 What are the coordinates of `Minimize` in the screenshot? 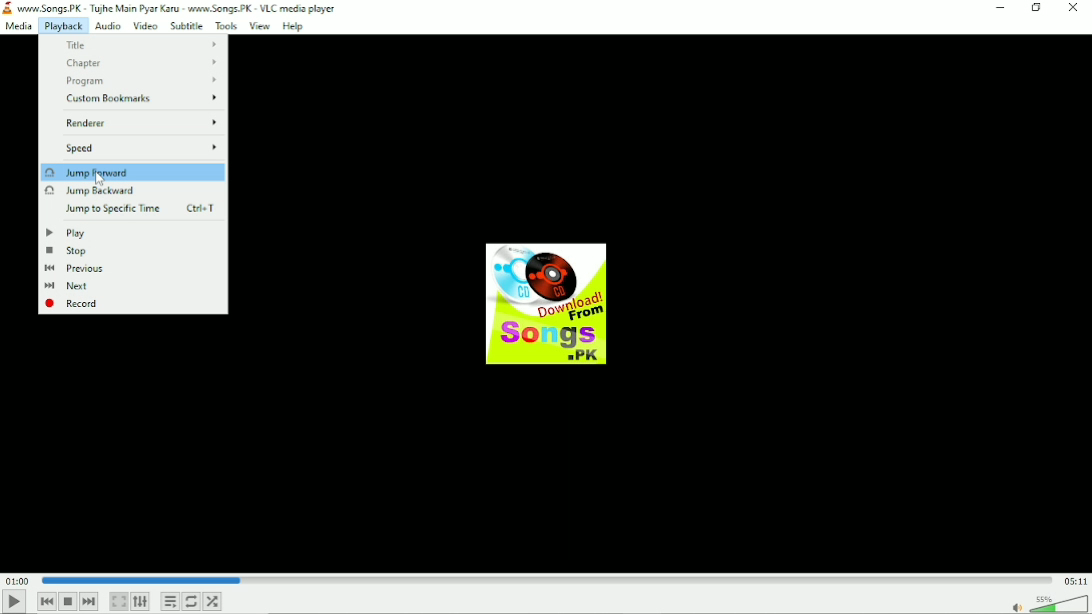 It's located at (1002, 8).